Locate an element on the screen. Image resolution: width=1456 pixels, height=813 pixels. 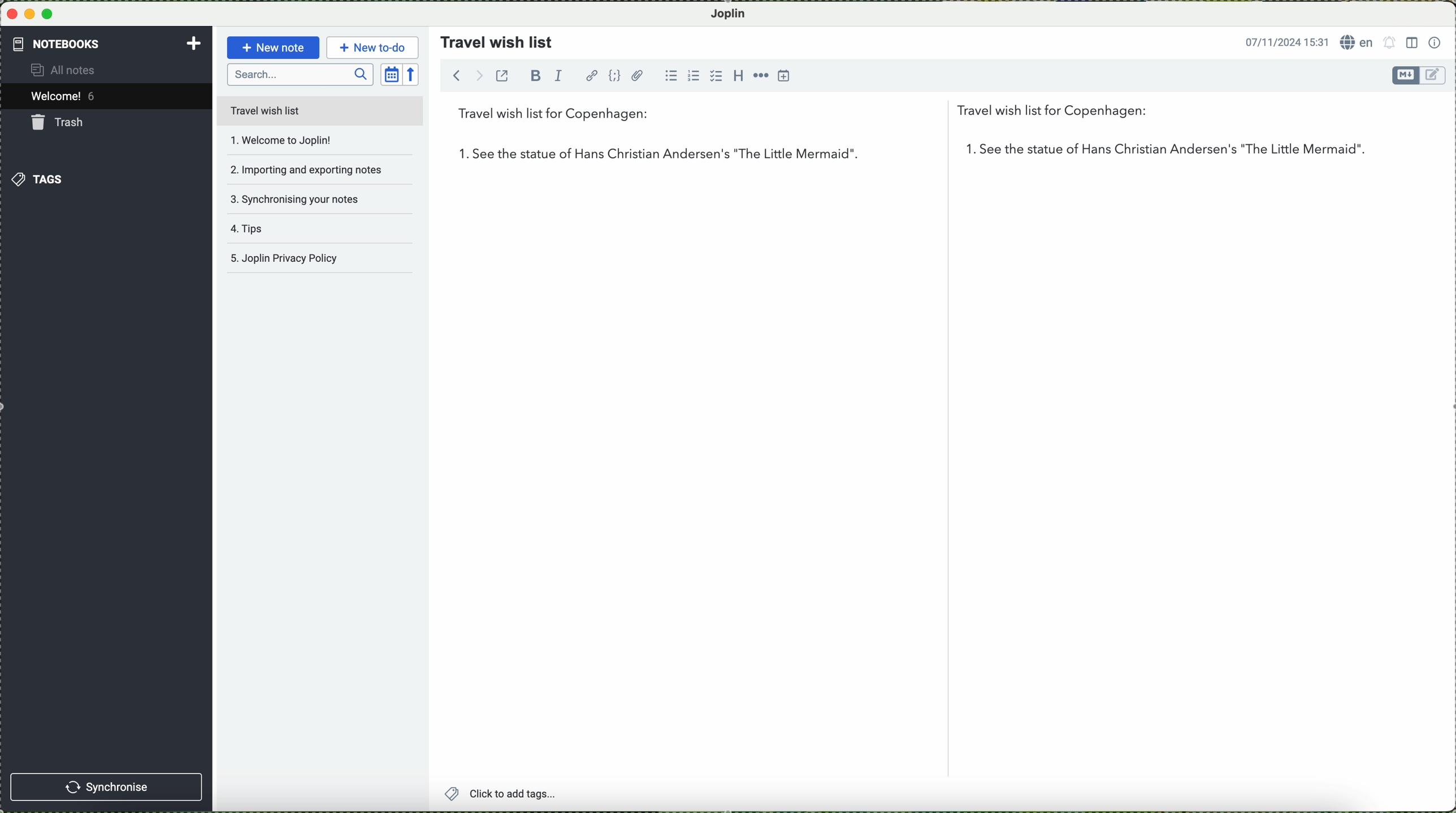
Joplin privacy policy is located at coordinates (317, 261).